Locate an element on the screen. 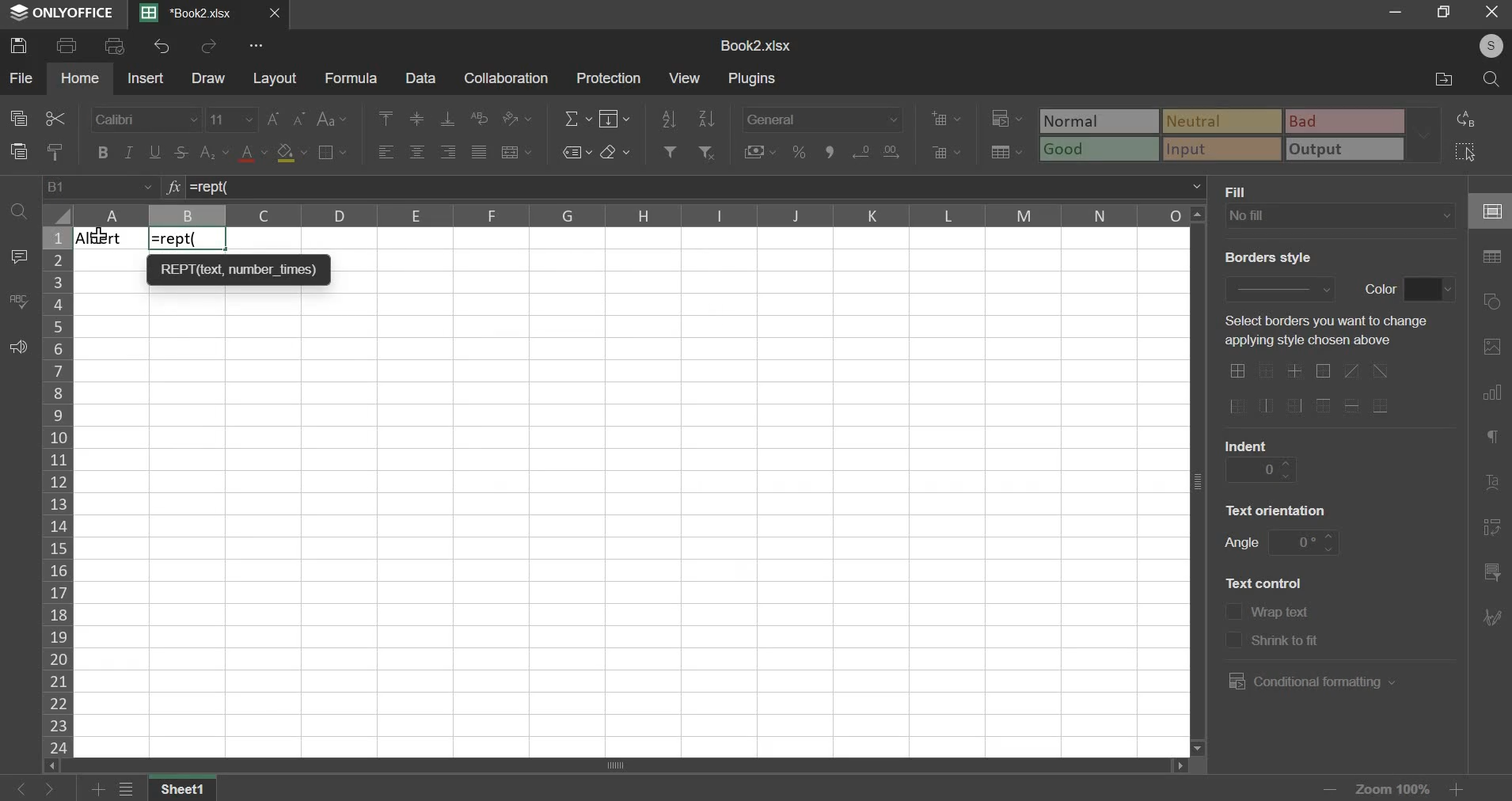 Image resolution: width=1512 pixels, height=801 pixels. =rept( is located at coordinates (697, 188).